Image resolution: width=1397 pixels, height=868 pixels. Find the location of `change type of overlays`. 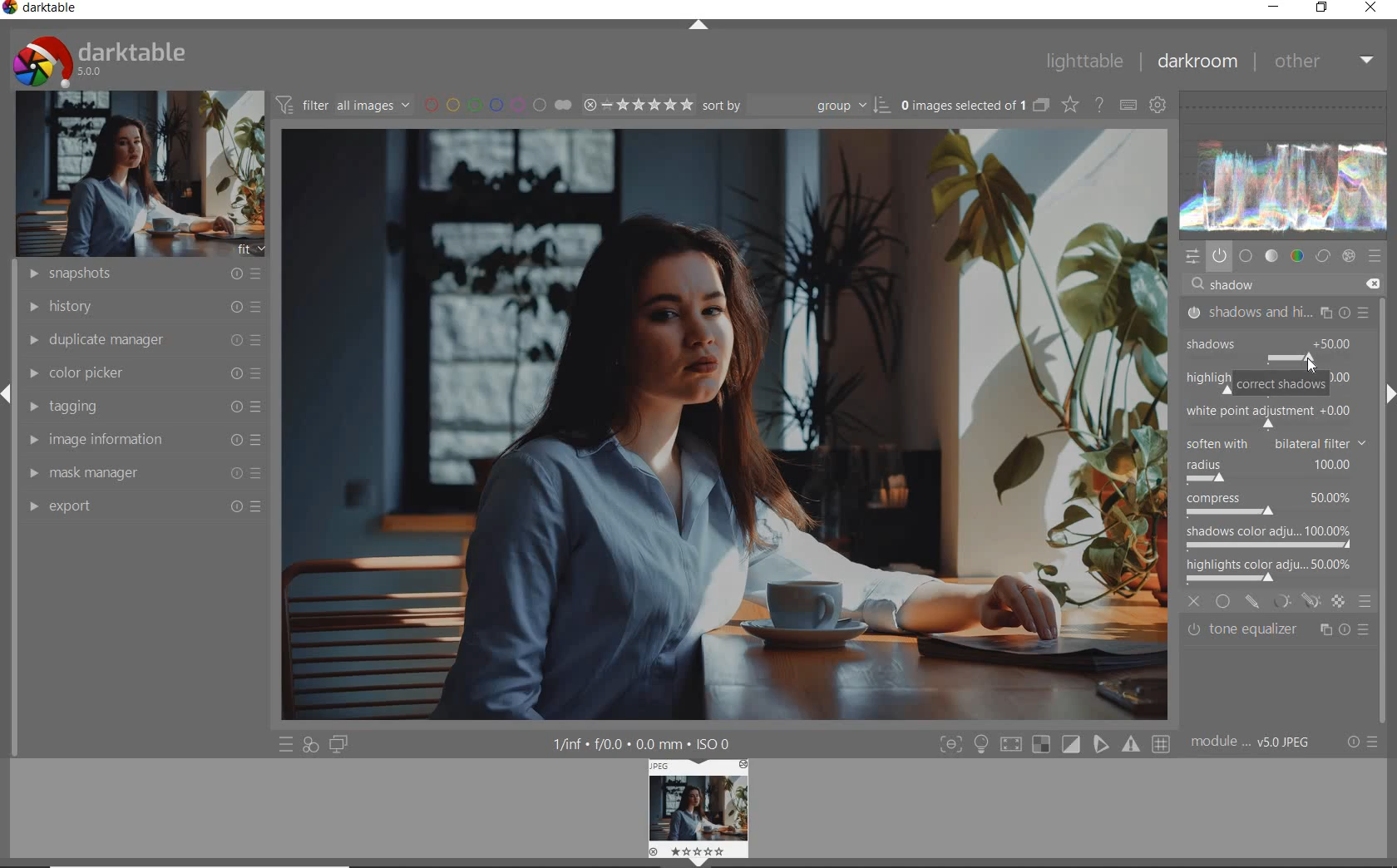

change type of overlays is located at coordinates (1072, 104).